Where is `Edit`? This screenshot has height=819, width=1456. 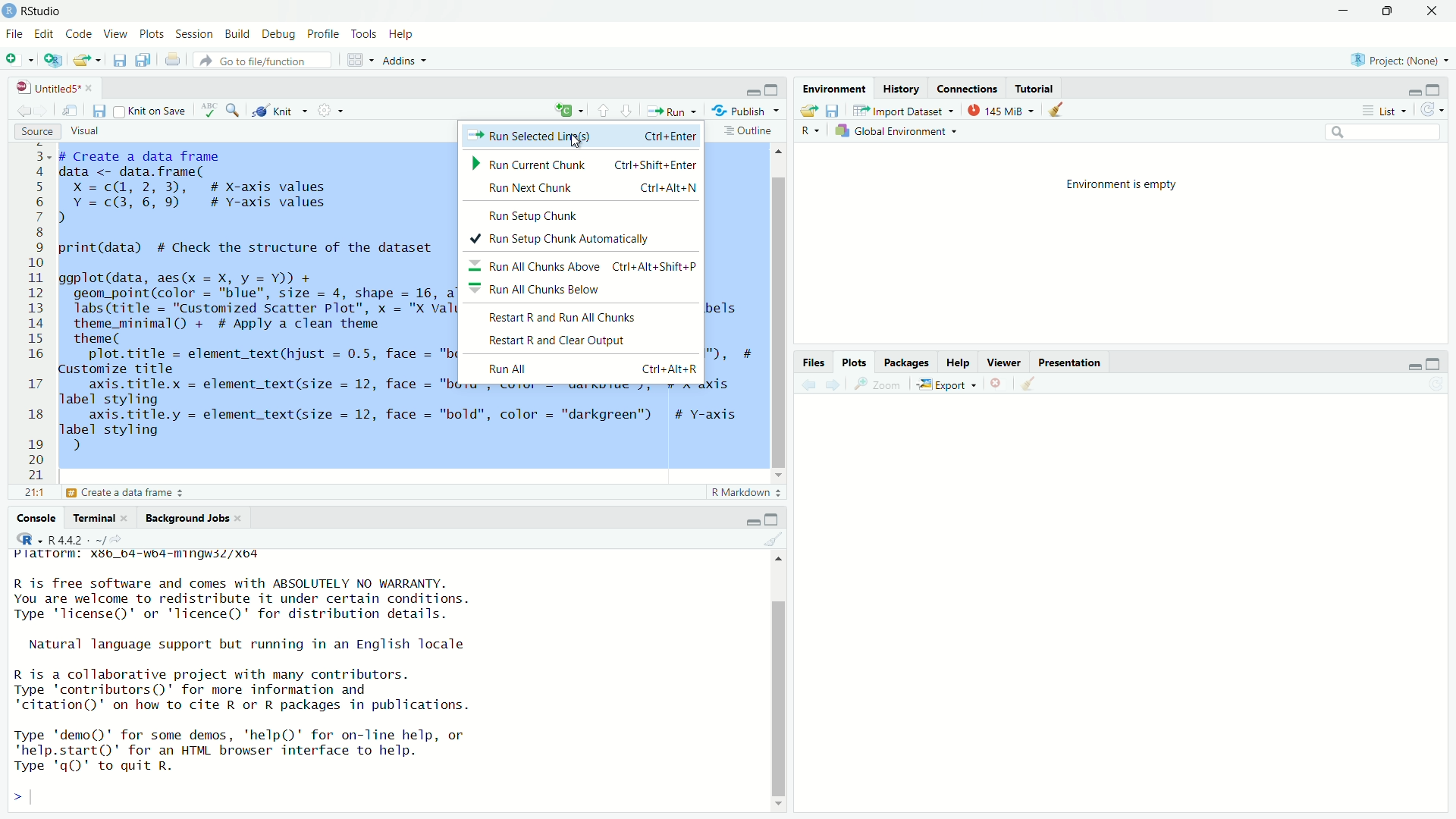 Edit is located at coordinates (45, 36).